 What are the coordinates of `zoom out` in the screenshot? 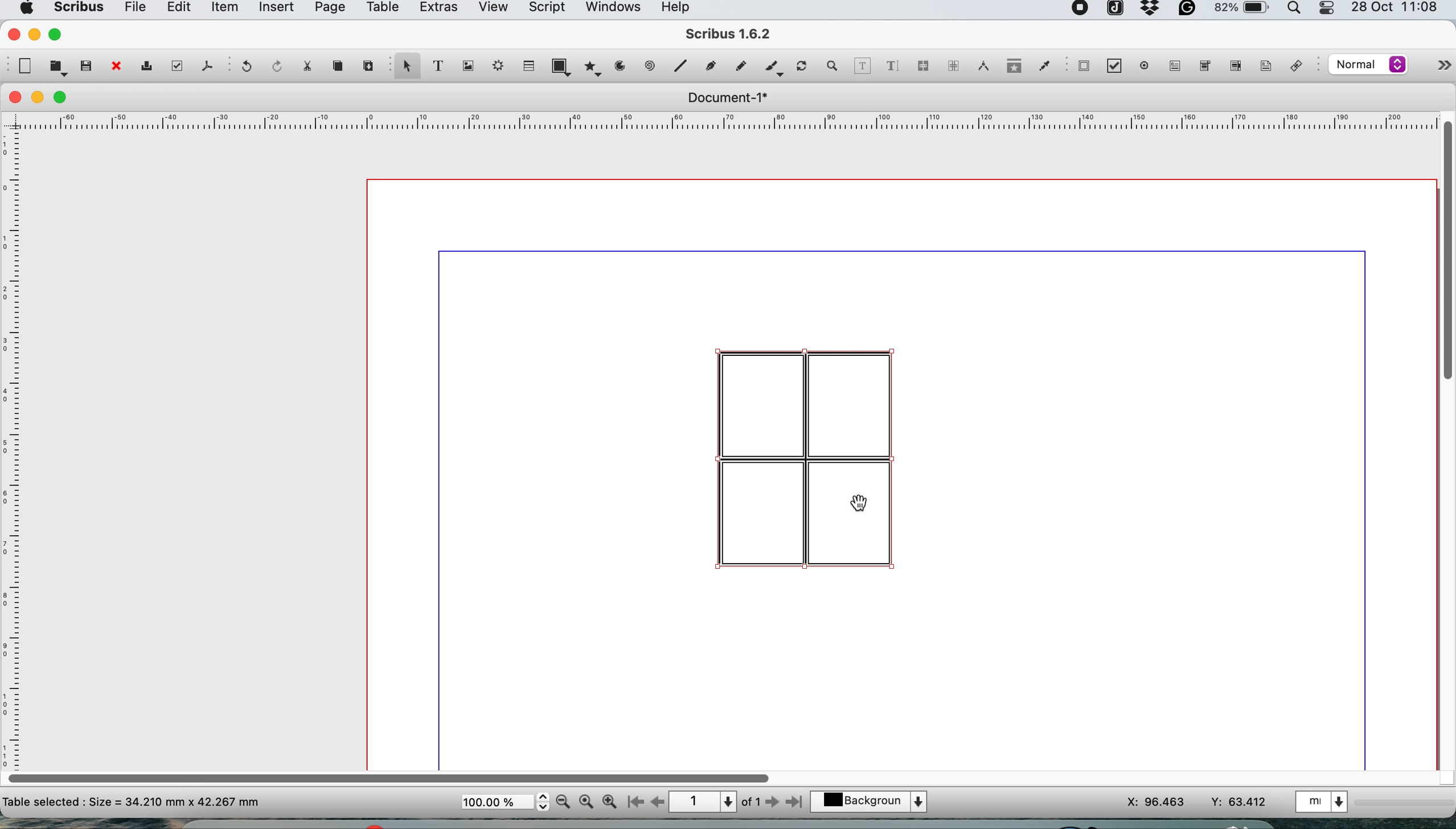 It's located at (565, 802).